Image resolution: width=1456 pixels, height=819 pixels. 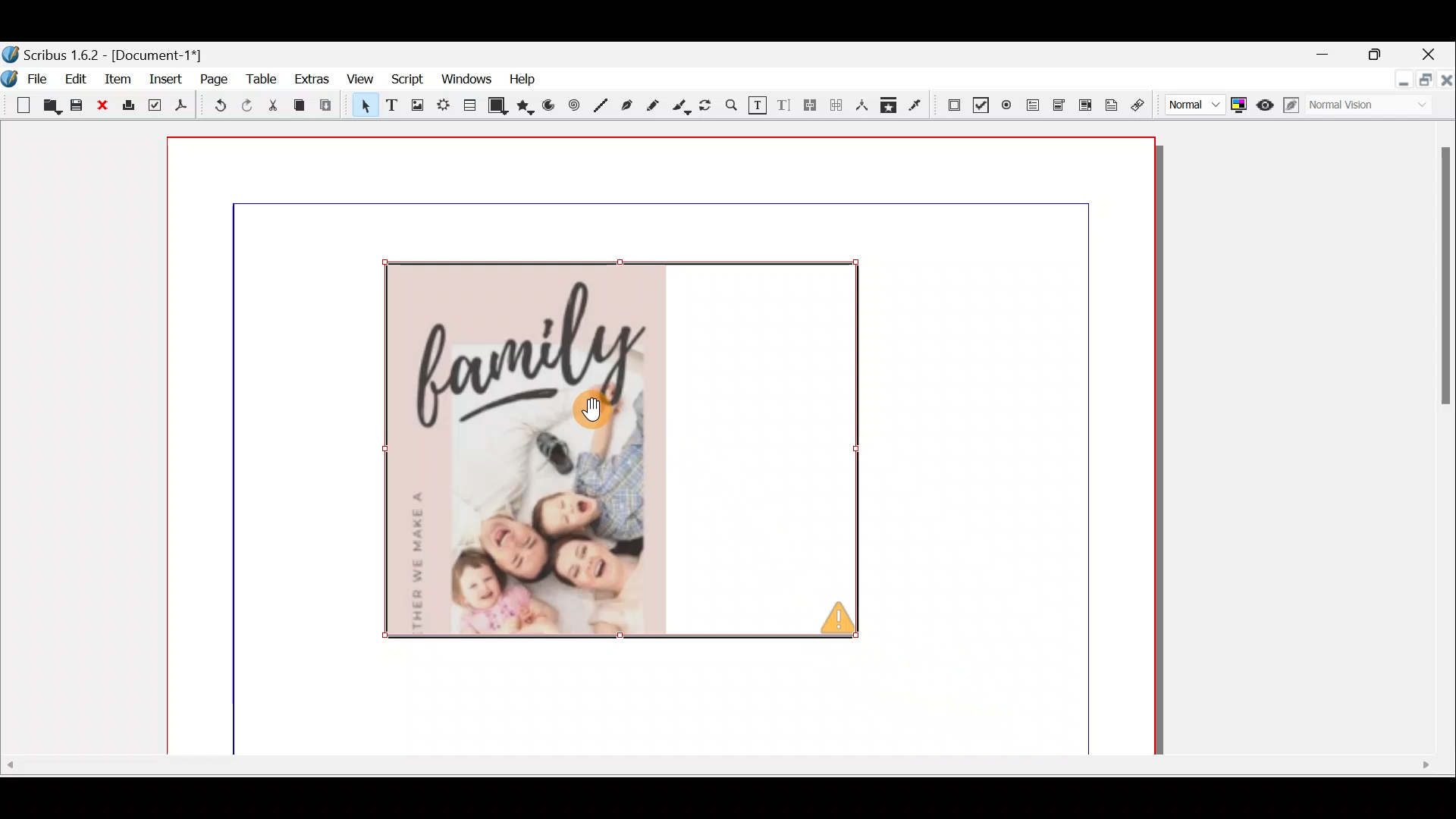 I want to click on Rotate item, so click(x=707, y=102).